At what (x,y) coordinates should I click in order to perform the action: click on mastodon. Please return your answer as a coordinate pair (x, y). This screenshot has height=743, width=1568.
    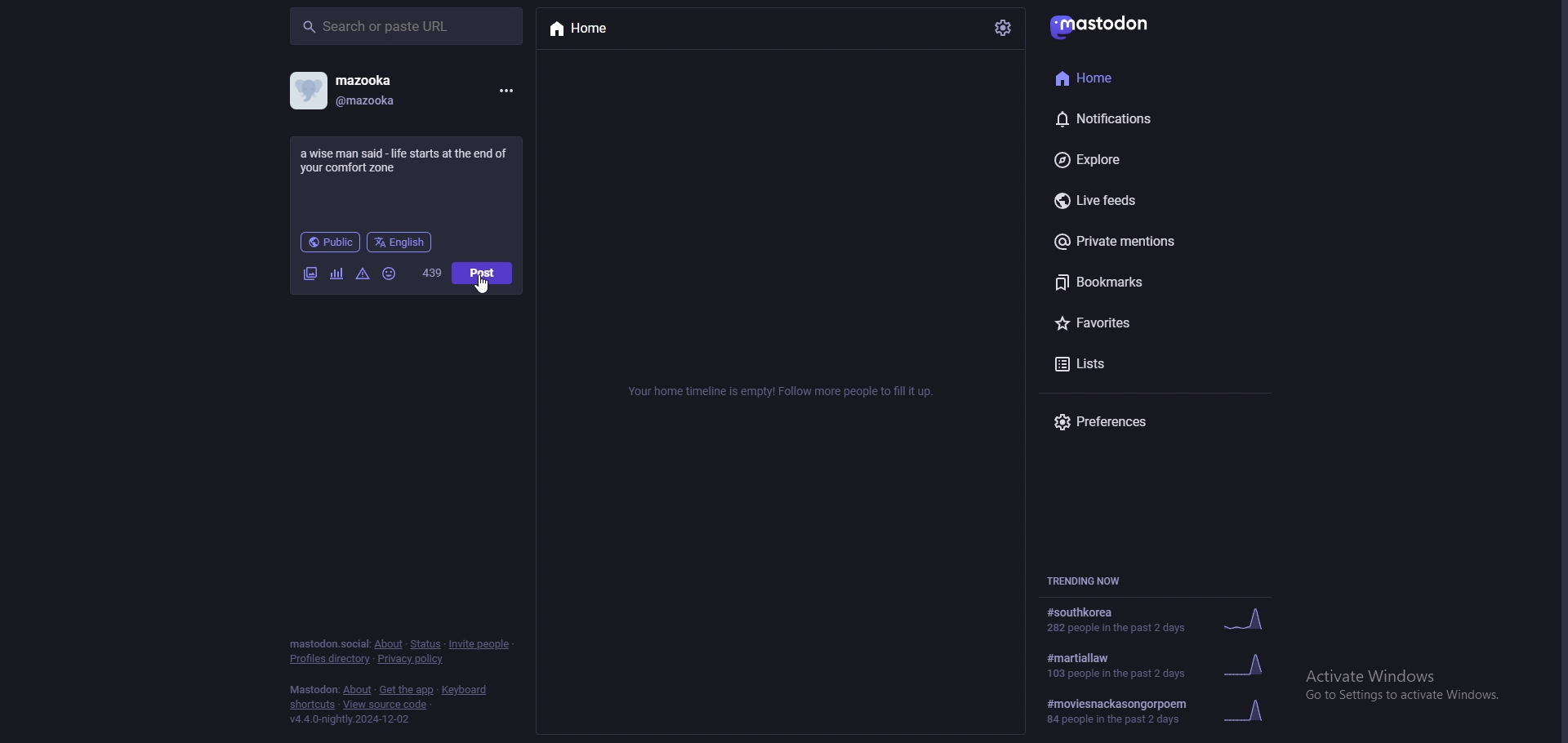
    Looking at the image, I should click on (313, 690).